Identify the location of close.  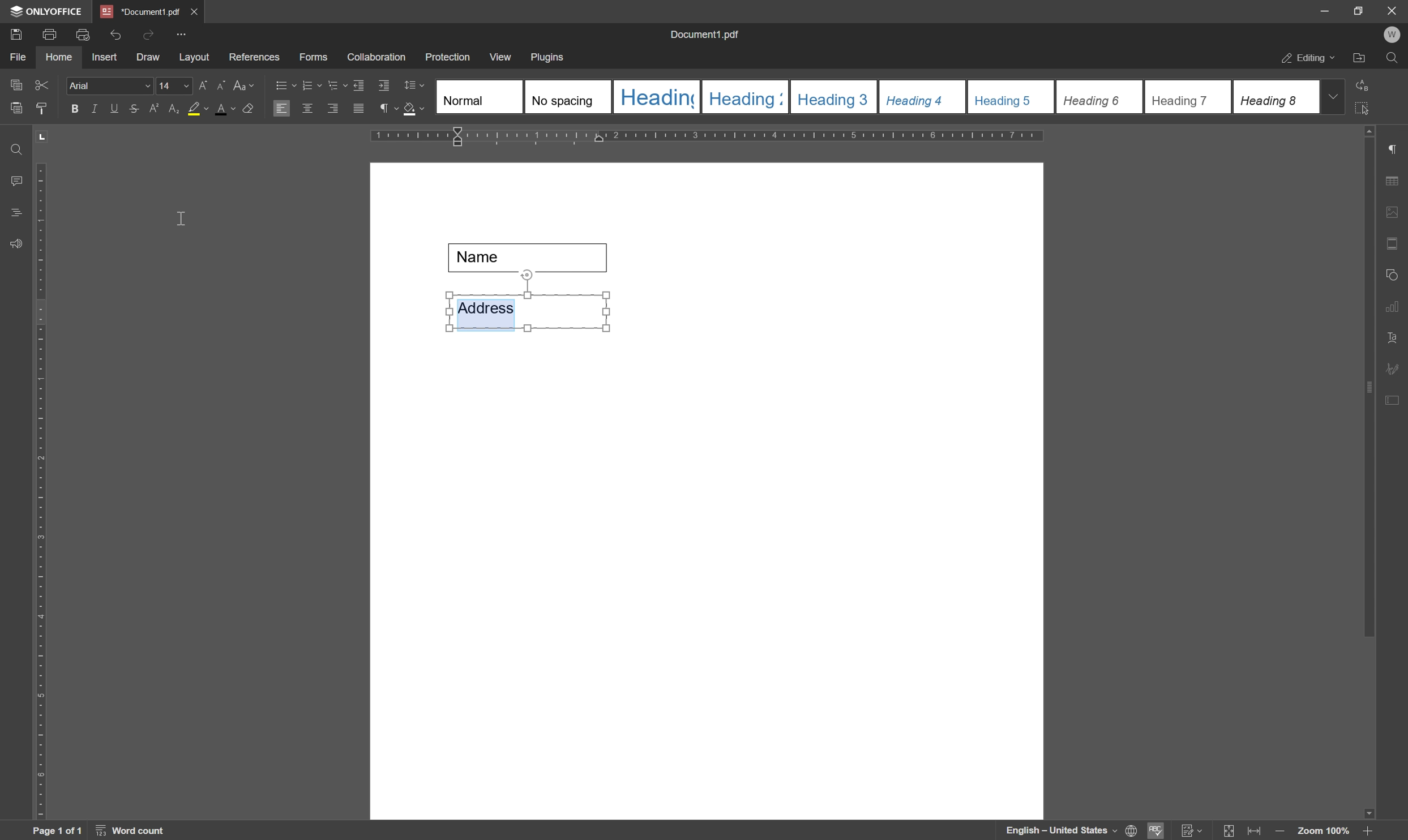
(1392, 10).